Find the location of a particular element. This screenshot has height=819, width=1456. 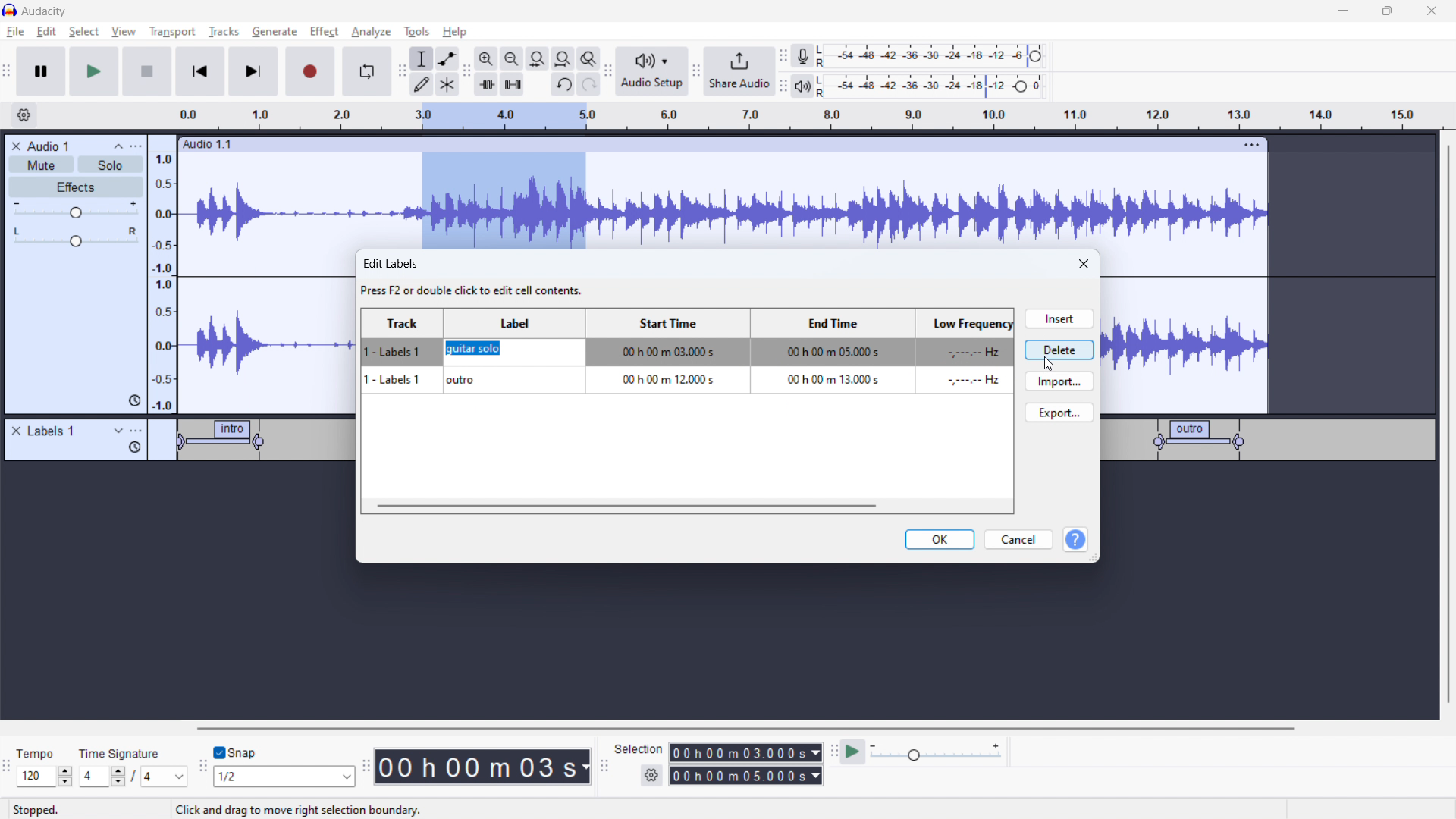

edit toolbar is located at coordinates (466, 72).